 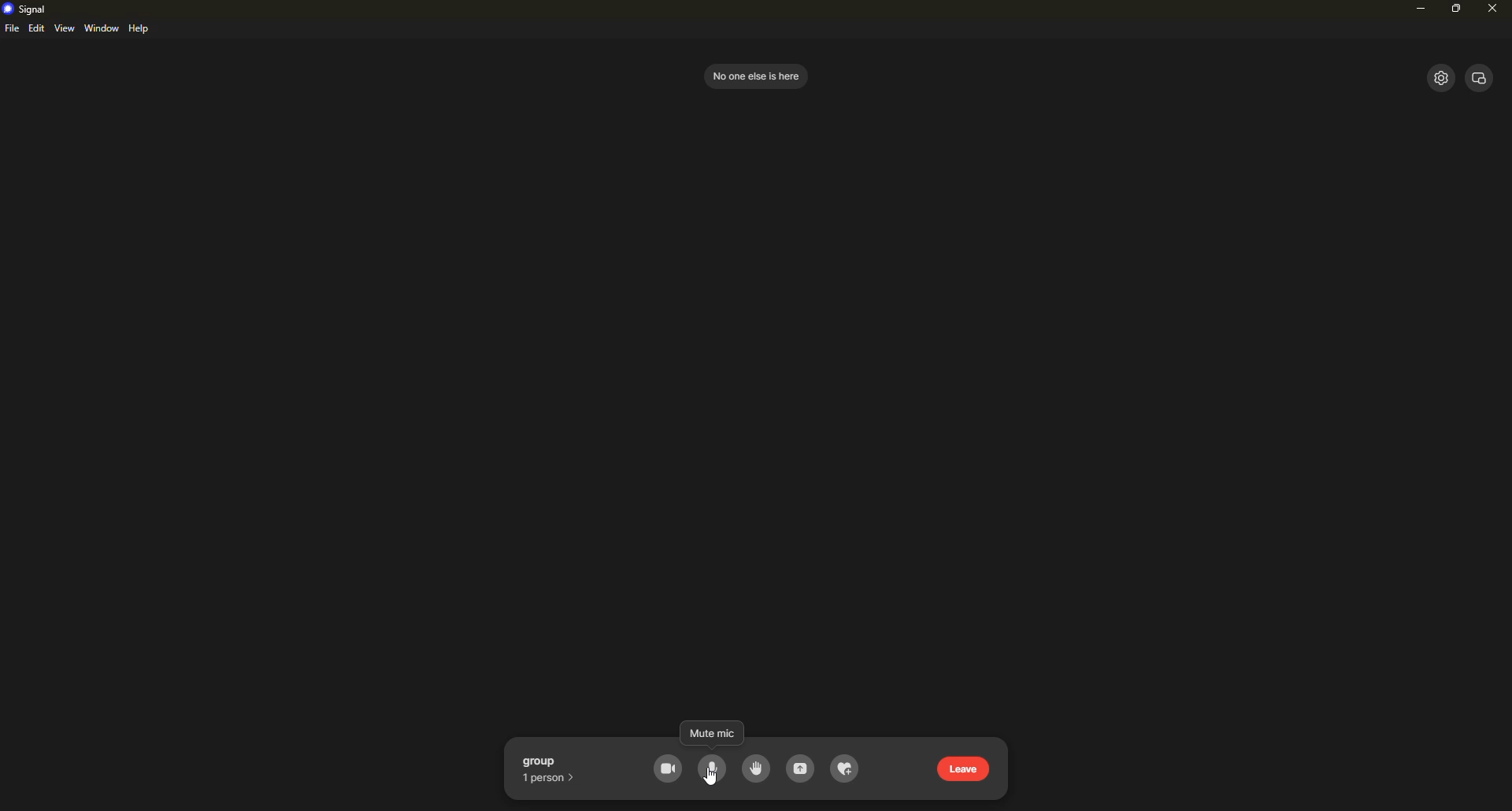 What do you see at coordinates (553, 760) in the screenshot?
I see `group call` at bounding box center [553, 760].